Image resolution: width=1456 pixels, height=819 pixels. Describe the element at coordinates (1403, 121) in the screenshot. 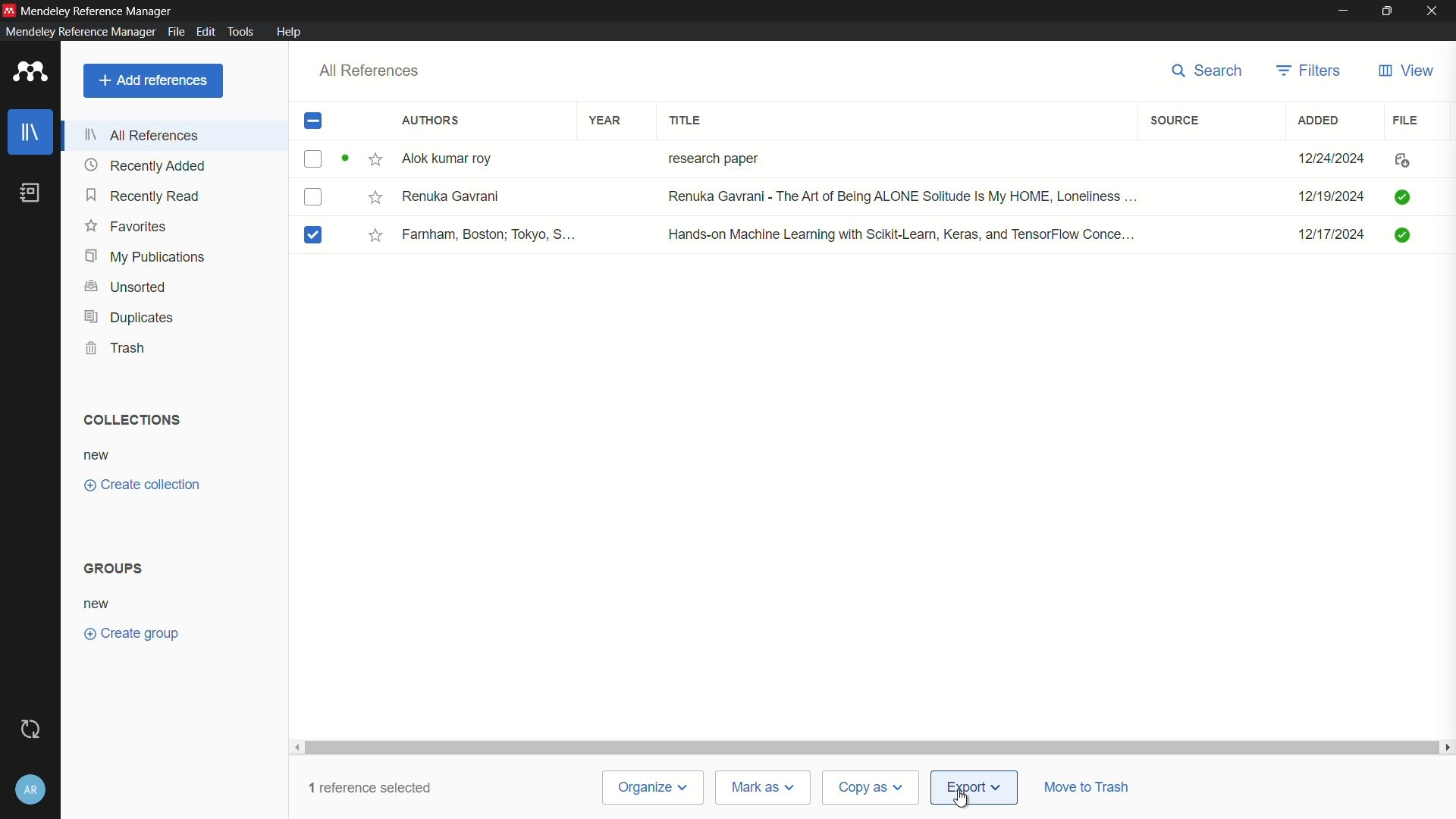

I see `file` at that location.